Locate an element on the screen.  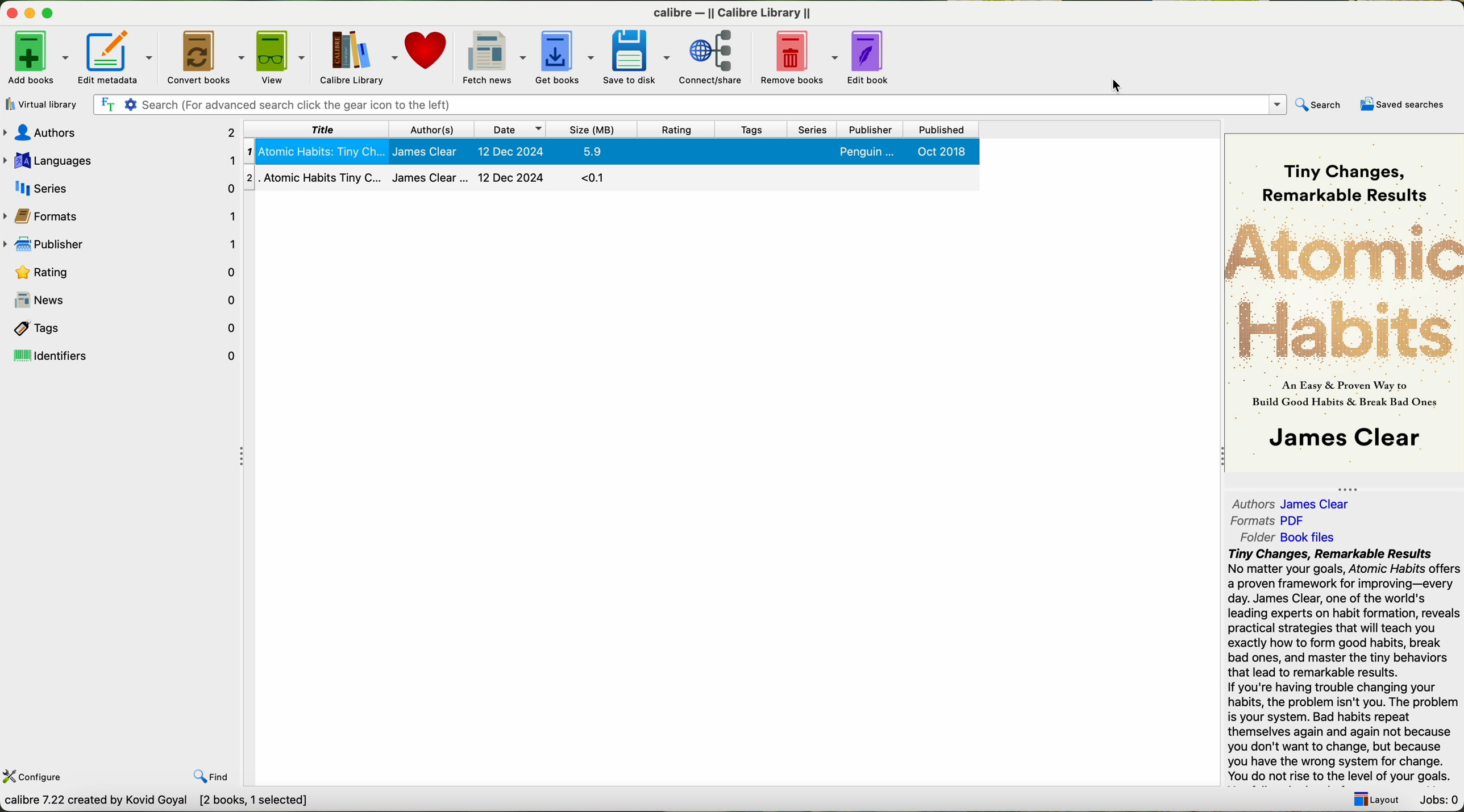
Callibre 7.22 Created by Kavid Goyal [o books] is located at coordinates (180, 803).